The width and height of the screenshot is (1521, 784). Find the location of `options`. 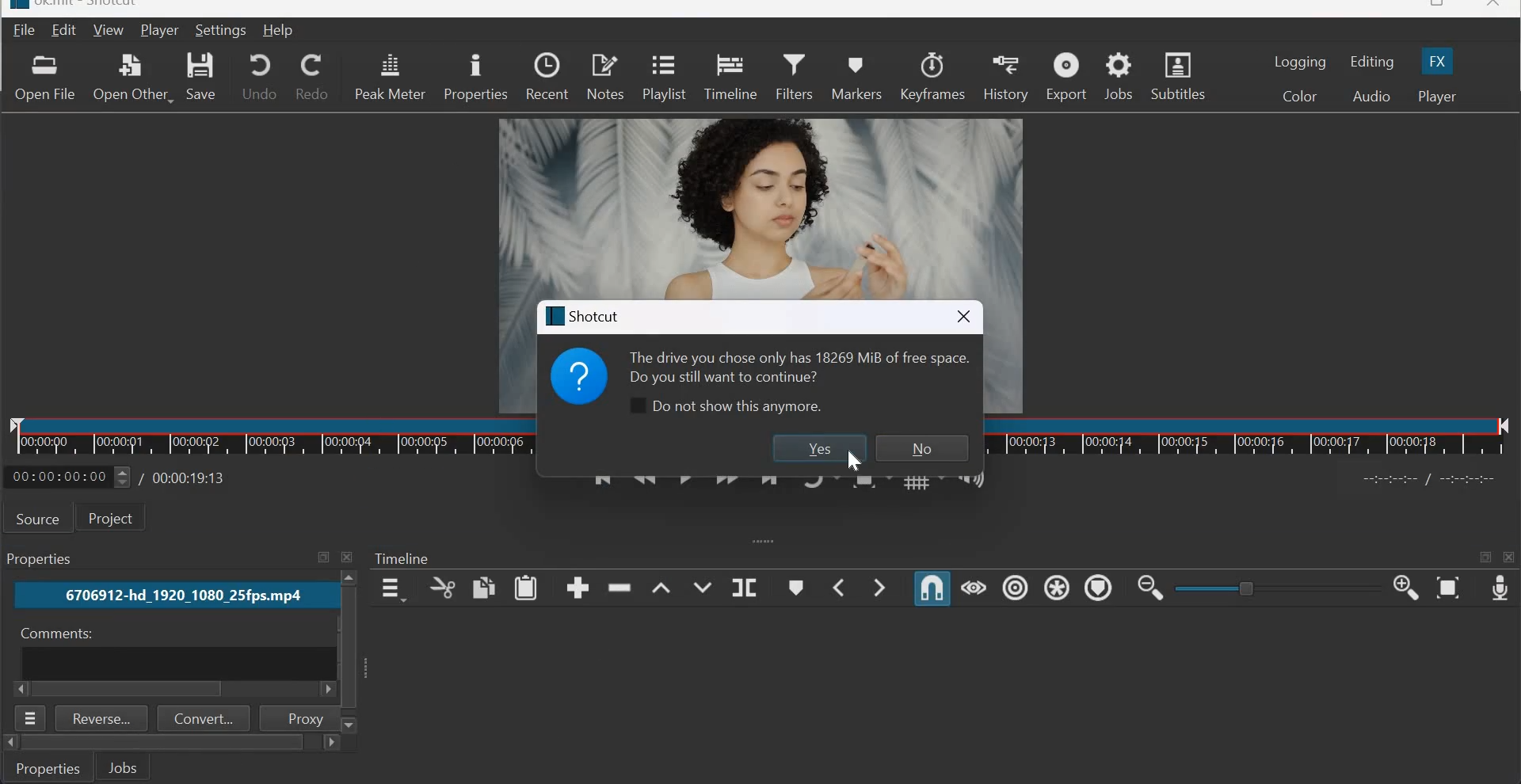

options is located at coordinates (32, 718).